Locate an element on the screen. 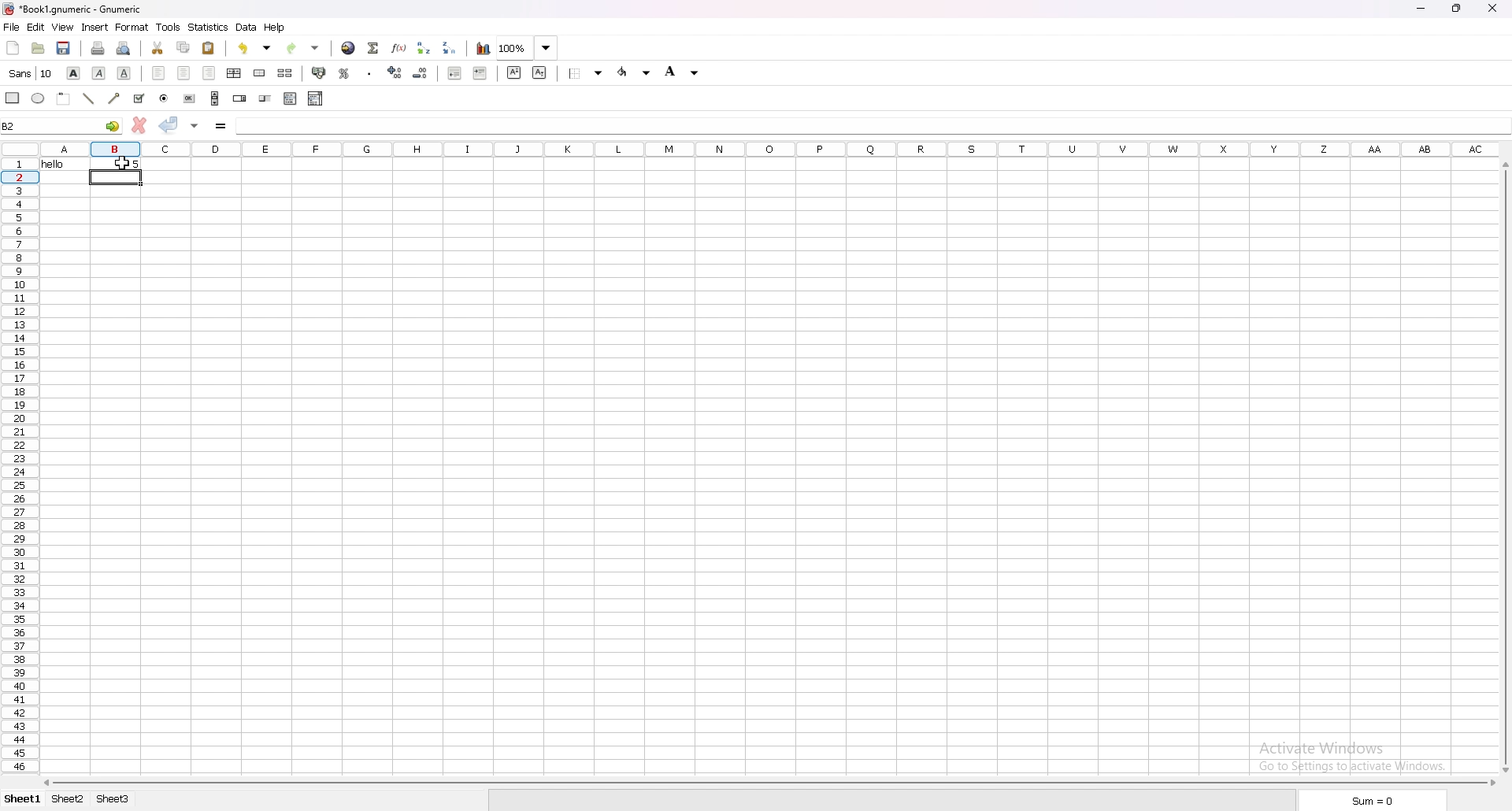 Image resolution: width=1512 pixels, height=811 pixels. function is located at coordinates (399, 47).